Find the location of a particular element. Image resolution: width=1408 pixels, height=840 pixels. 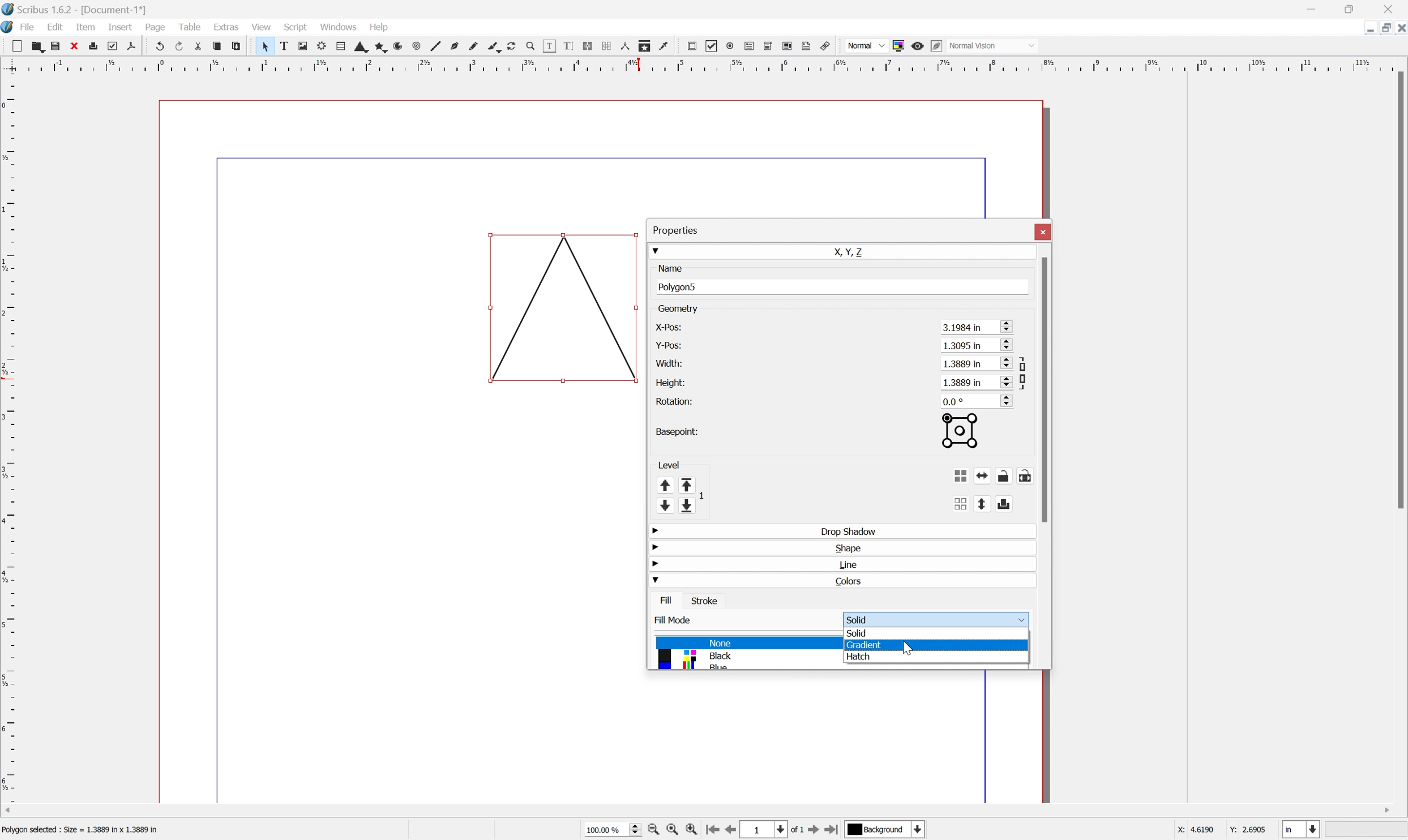

Lock or unlock the object is located at coordinates (1020, 474).